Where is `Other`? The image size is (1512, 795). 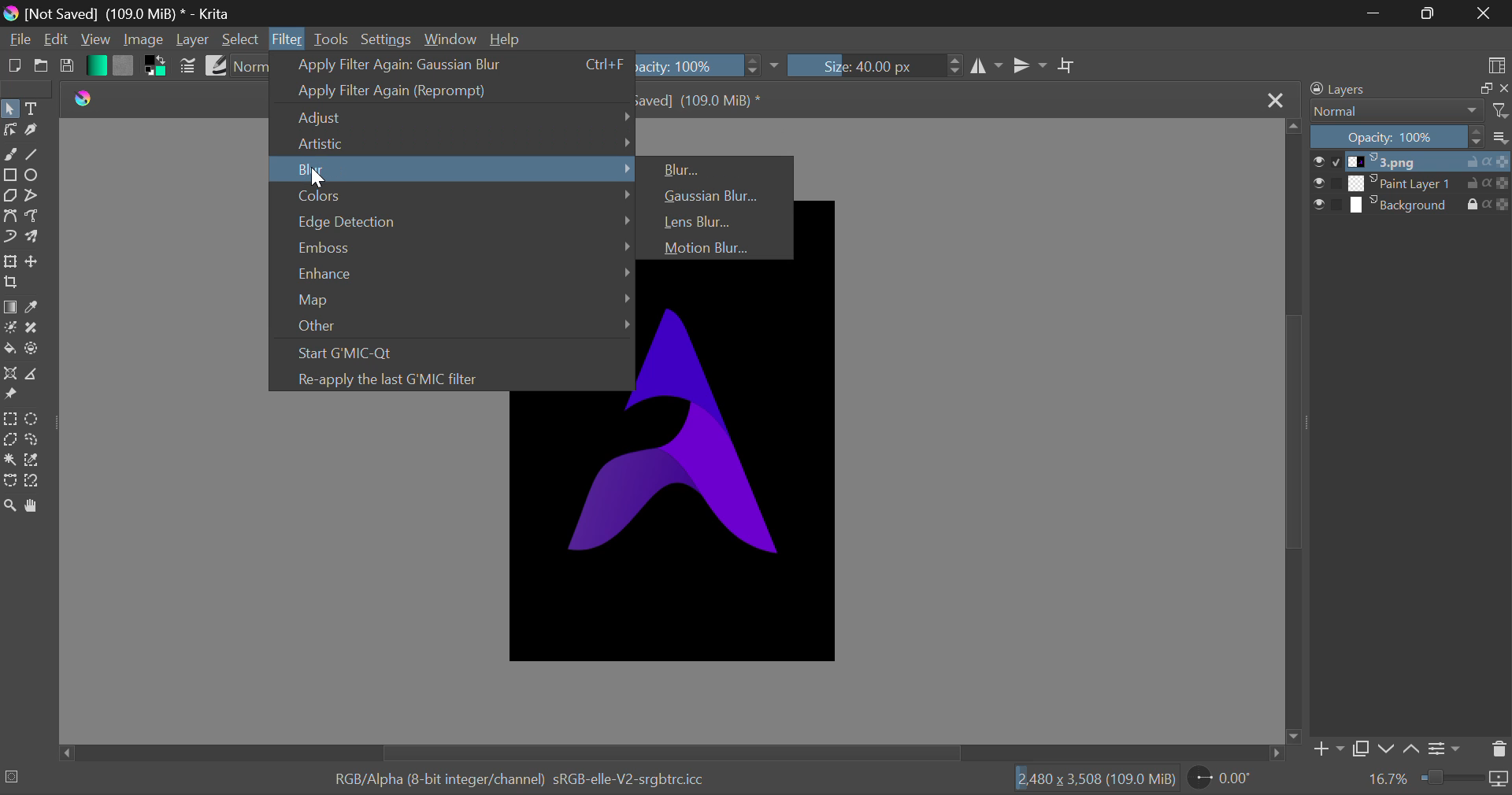 Other is located at coordinates (452, 327).